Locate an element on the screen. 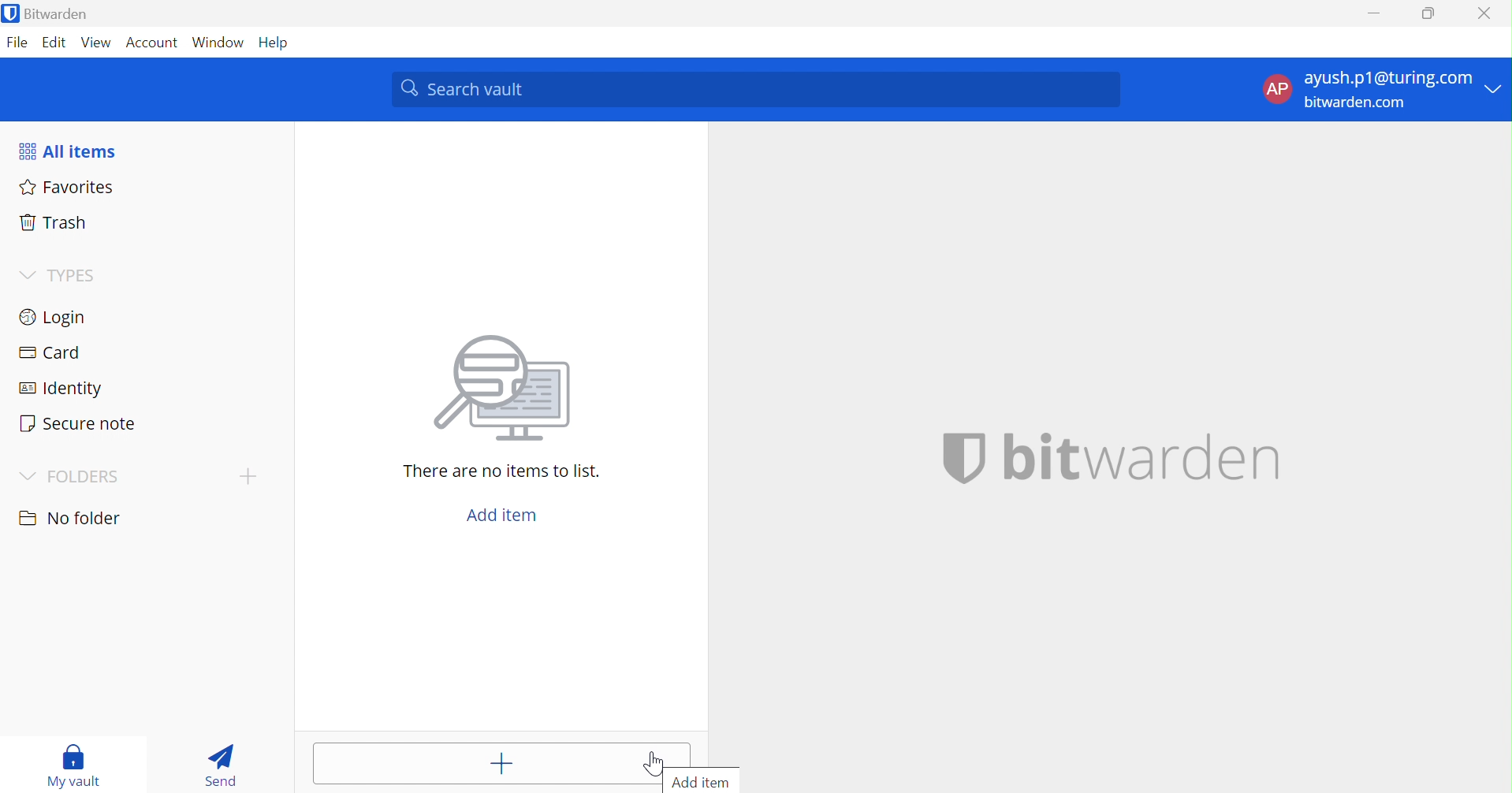  Send is located at coordinates (220, 768).